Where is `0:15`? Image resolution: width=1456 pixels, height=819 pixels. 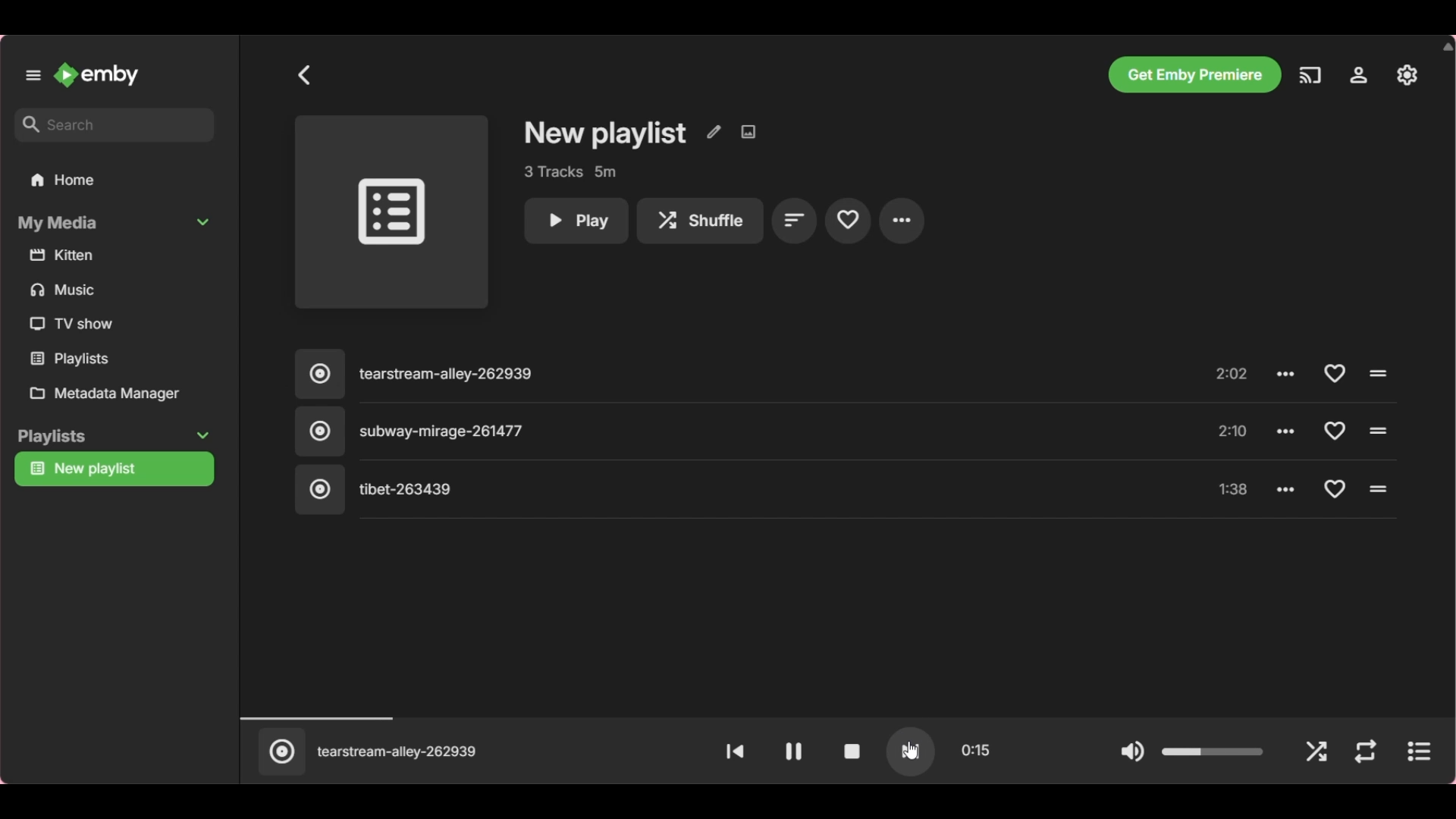
0:15 is located at coordinates (976, 748).